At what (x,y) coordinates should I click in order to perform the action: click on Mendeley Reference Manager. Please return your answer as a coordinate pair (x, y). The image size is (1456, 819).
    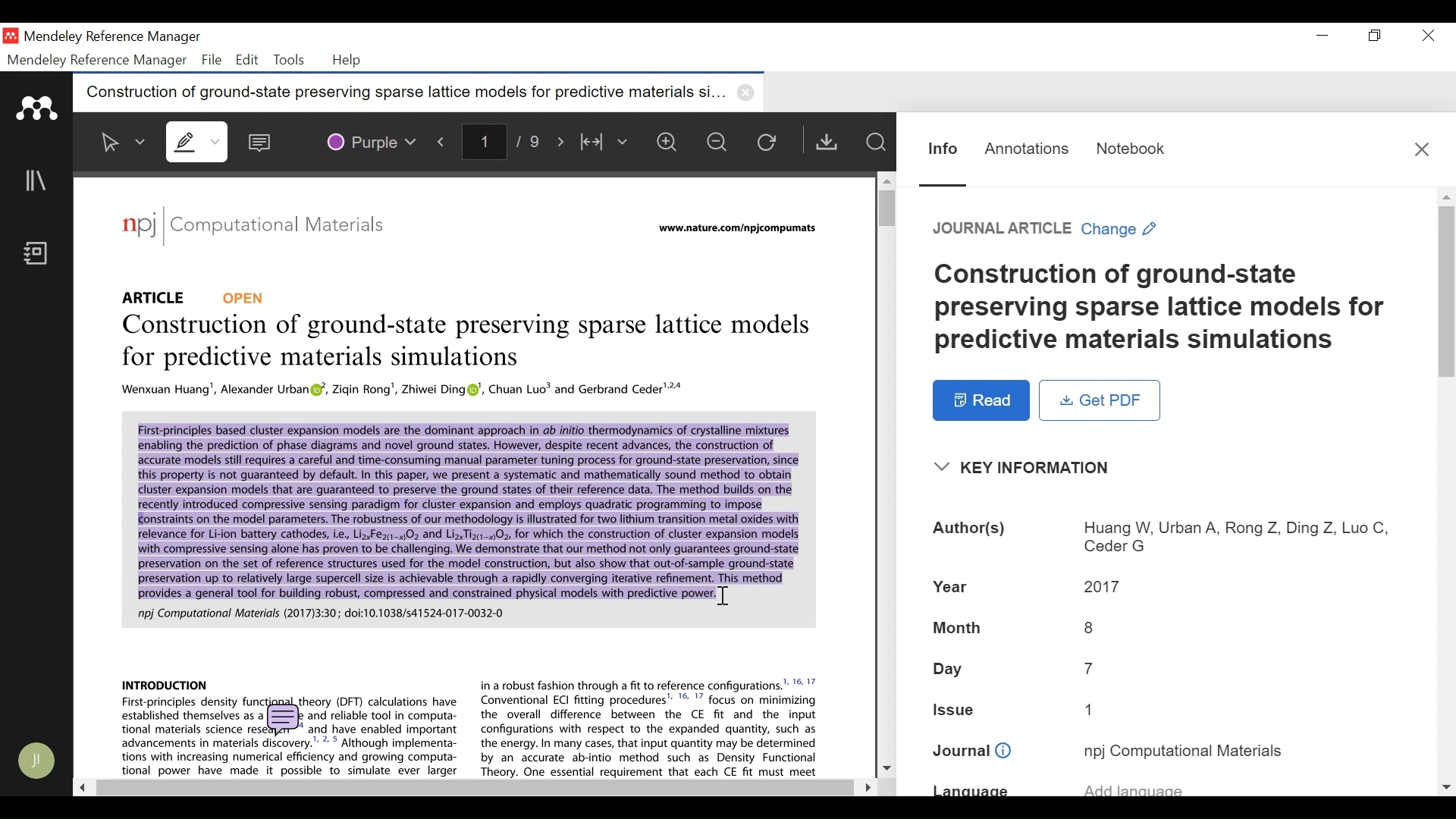
    Looking at the image, I should click on (98, 61).